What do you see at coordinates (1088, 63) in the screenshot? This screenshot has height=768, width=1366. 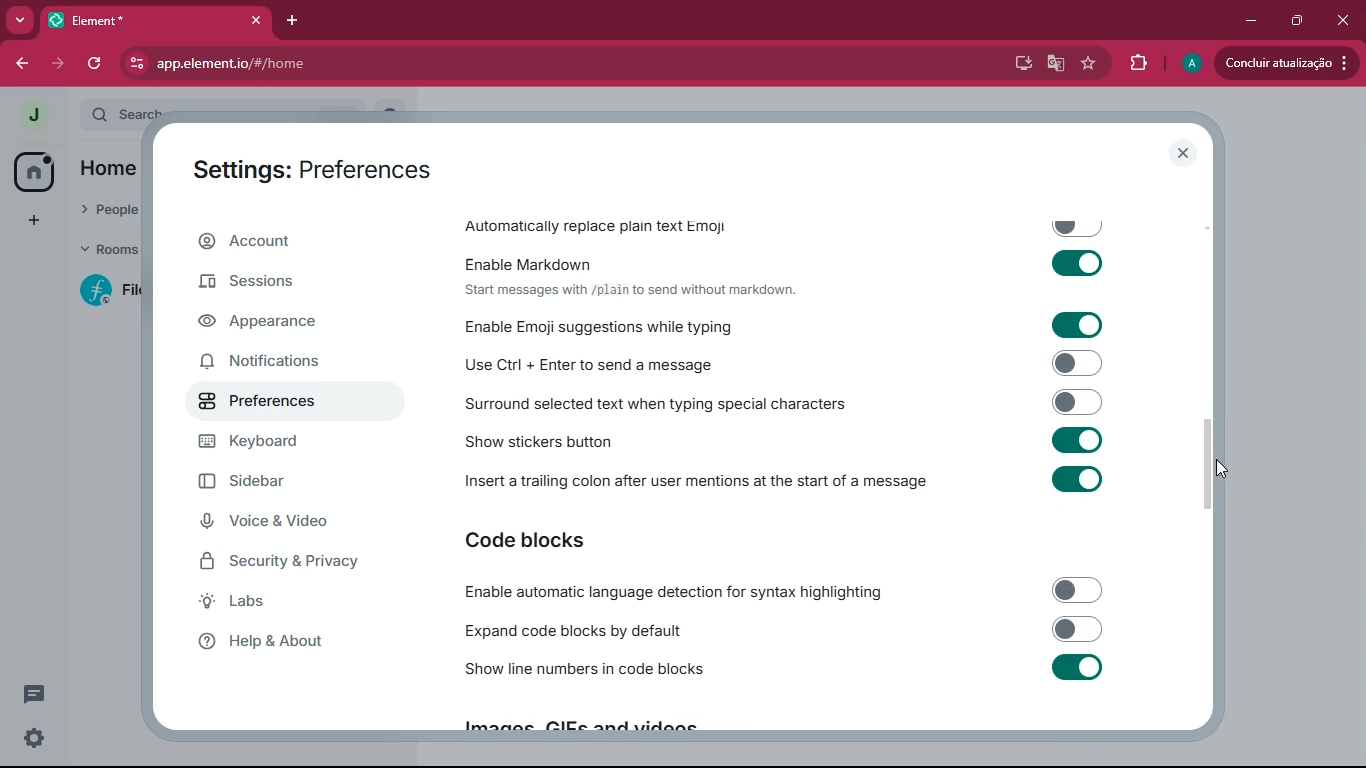 I see `favourite` at bounding box center [1088, 63].